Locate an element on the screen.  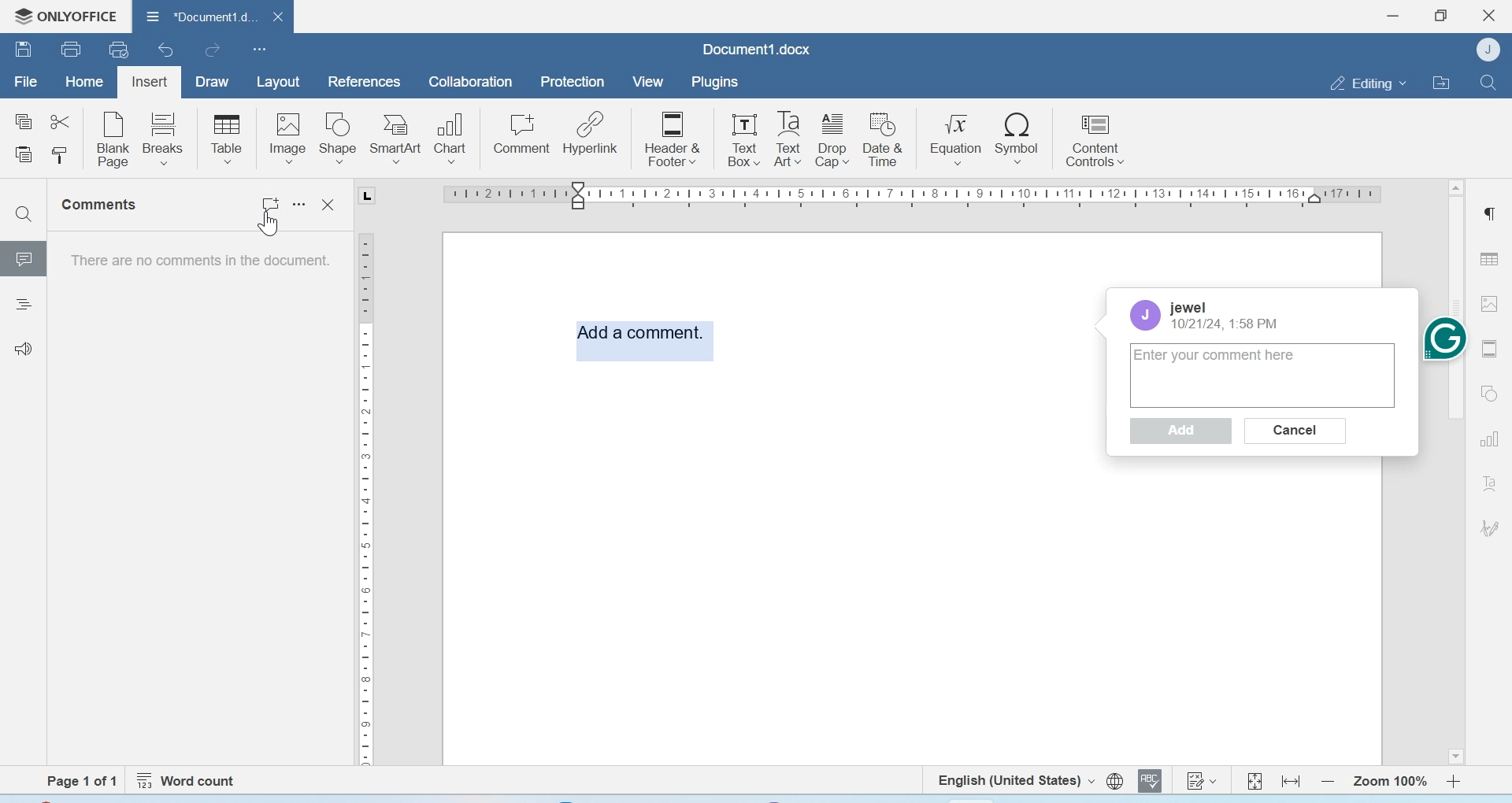
Redo is located at coordinates (211, 50).